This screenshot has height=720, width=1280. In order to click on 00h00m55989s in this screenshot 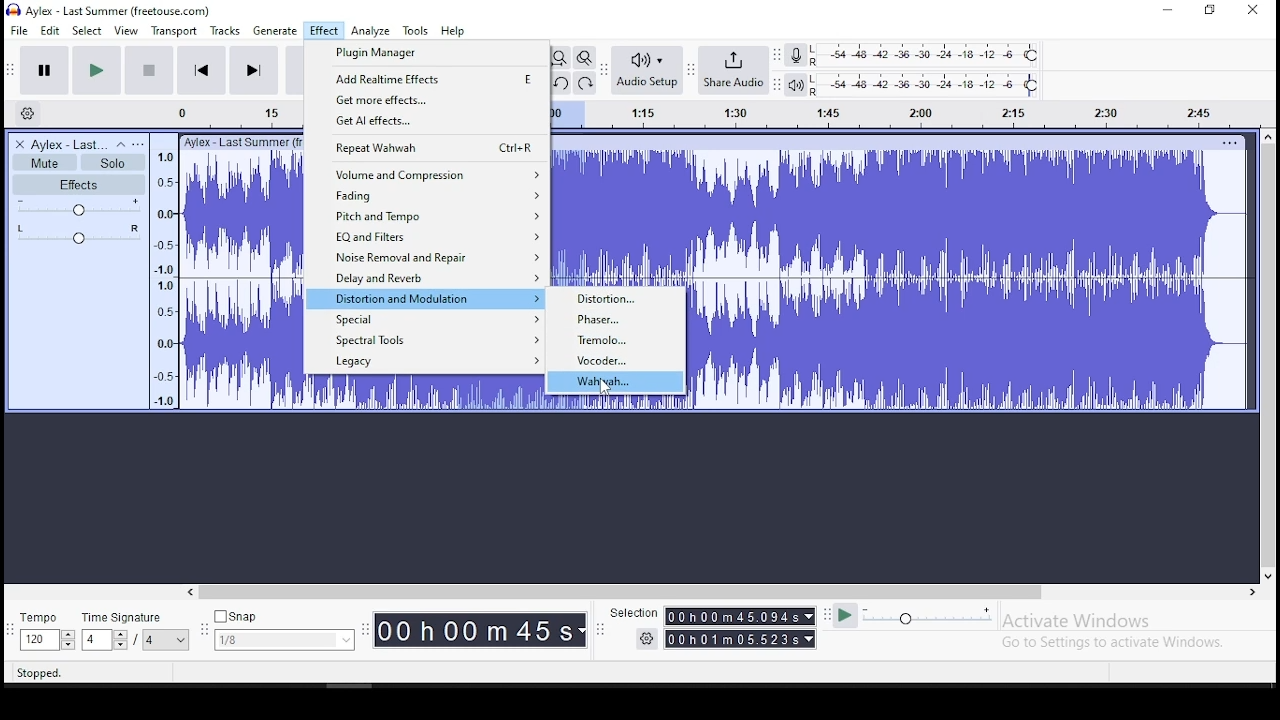, I will do `click(741, 640)`.